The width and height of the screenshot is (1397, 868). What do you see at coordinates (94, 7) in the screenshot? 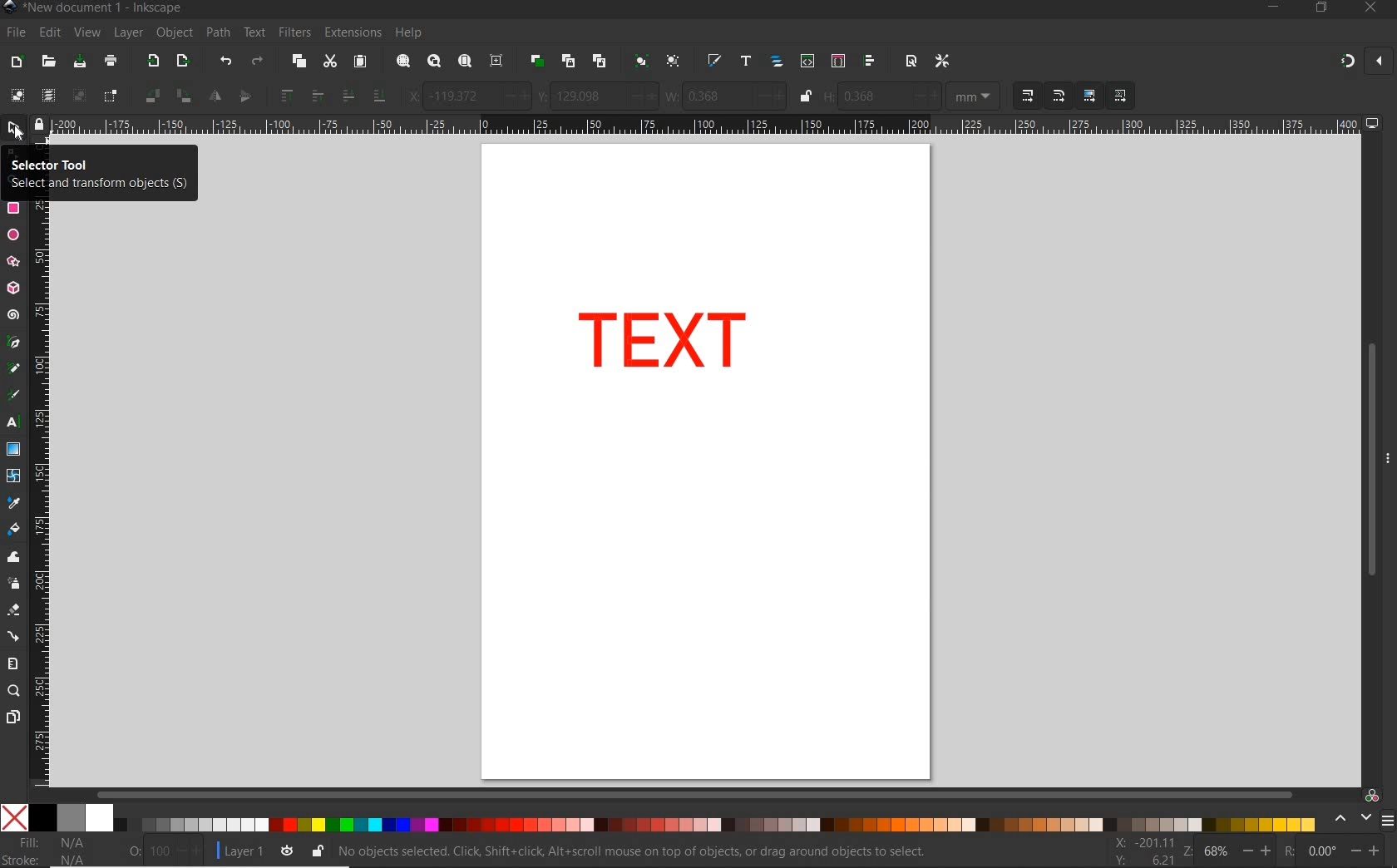
I see `FILE NAME` at bounding box center [94, 7].